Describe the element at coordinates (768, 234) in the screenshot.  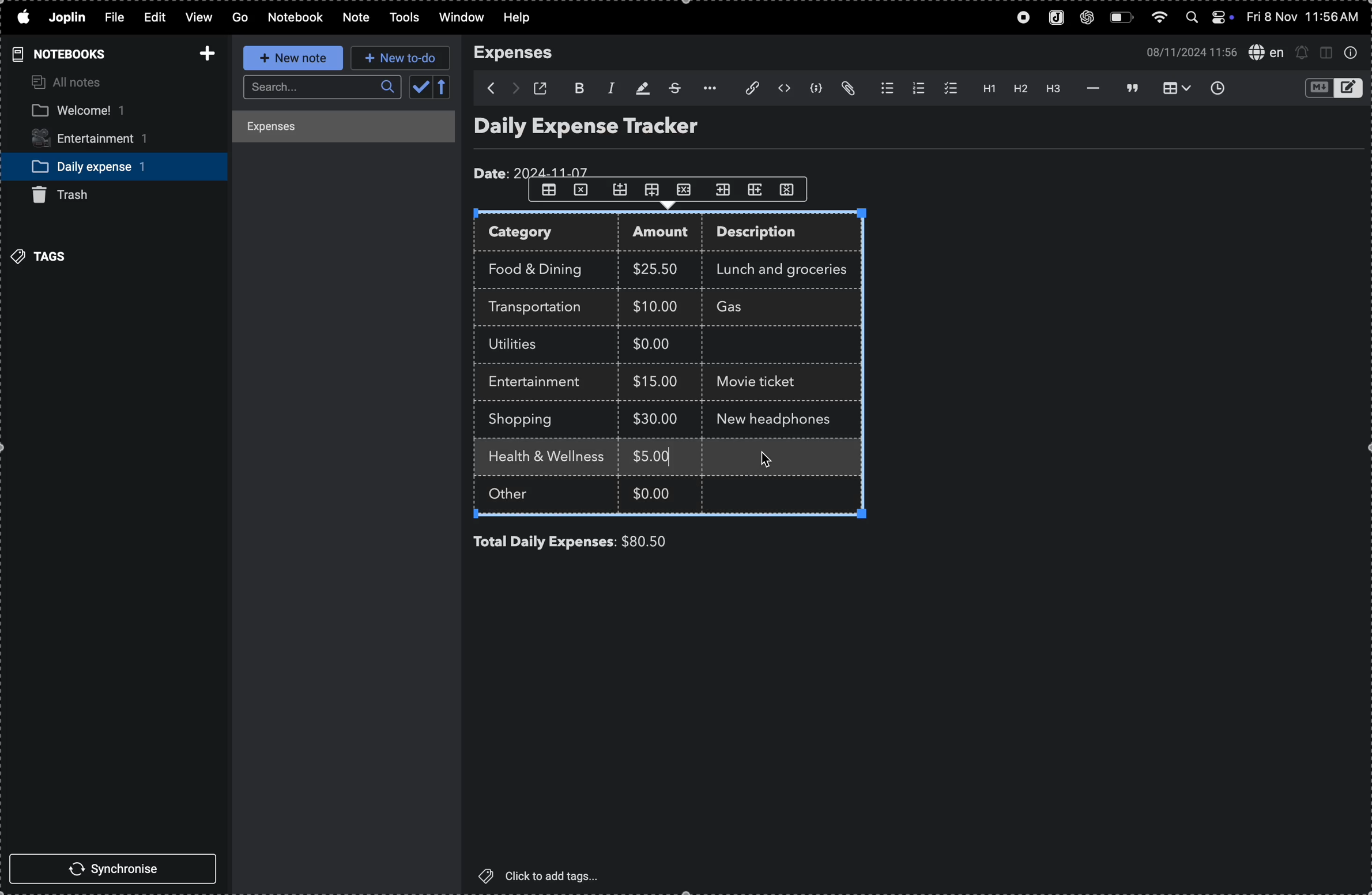
I see `description` at that location.